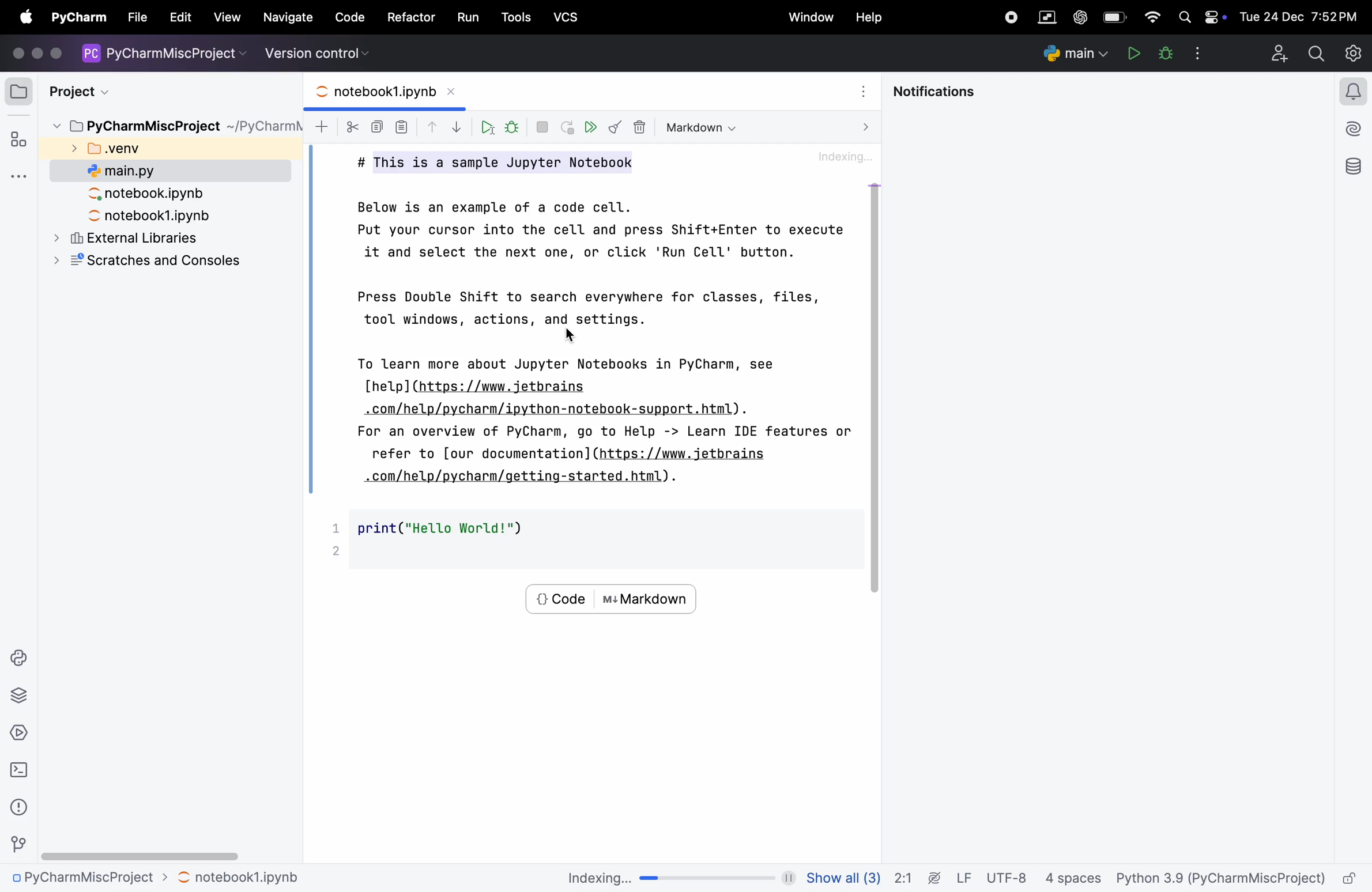 Image resolution: width=1372 pixels, height=892 pixels. Describe the element at coordinates (149, 849) in the screenshot. I see `scroll` at that location.